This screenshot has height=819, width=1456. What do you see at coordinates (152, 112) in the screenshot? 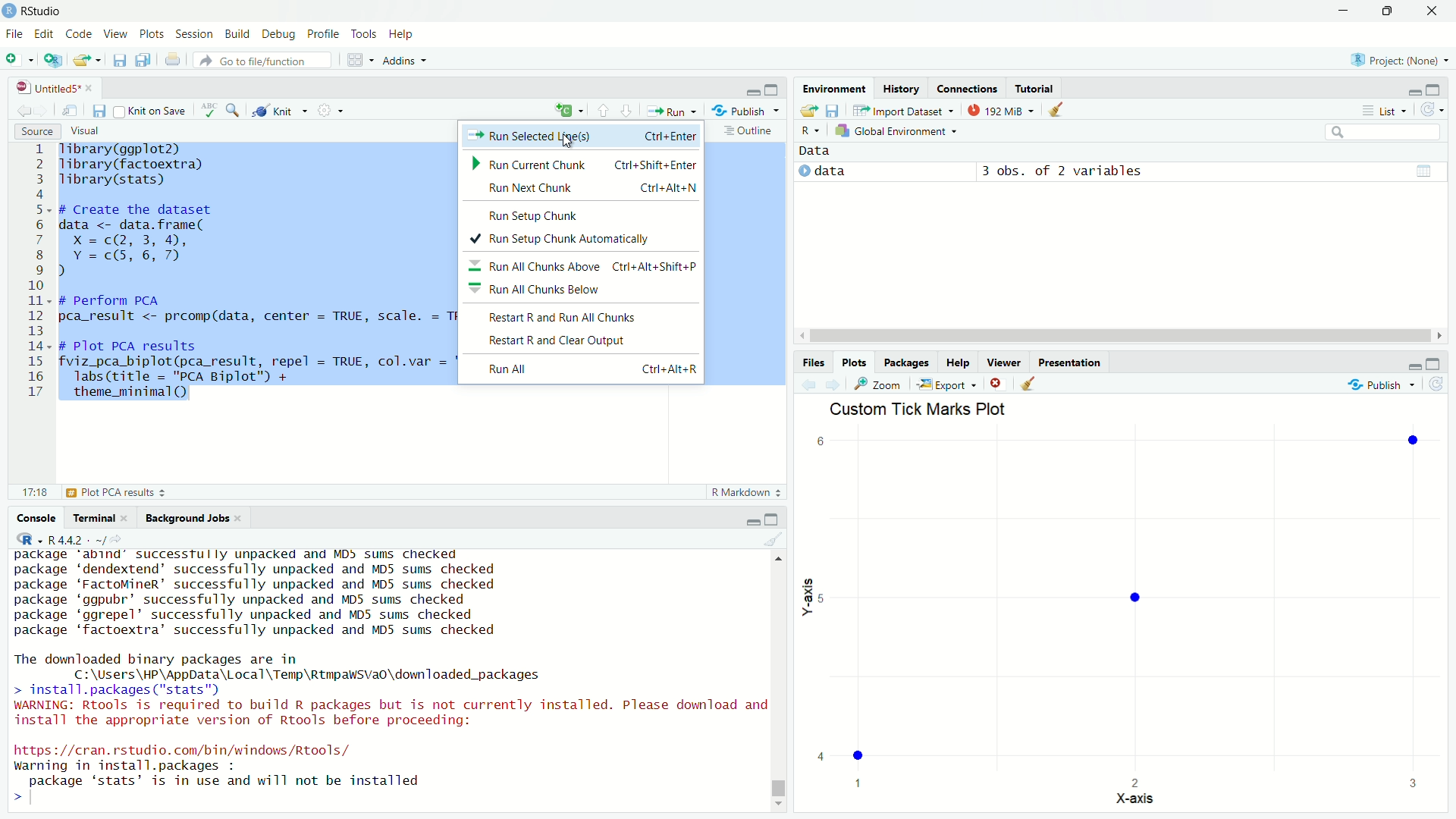
I see `source on save` at bounding box center [152, 112].